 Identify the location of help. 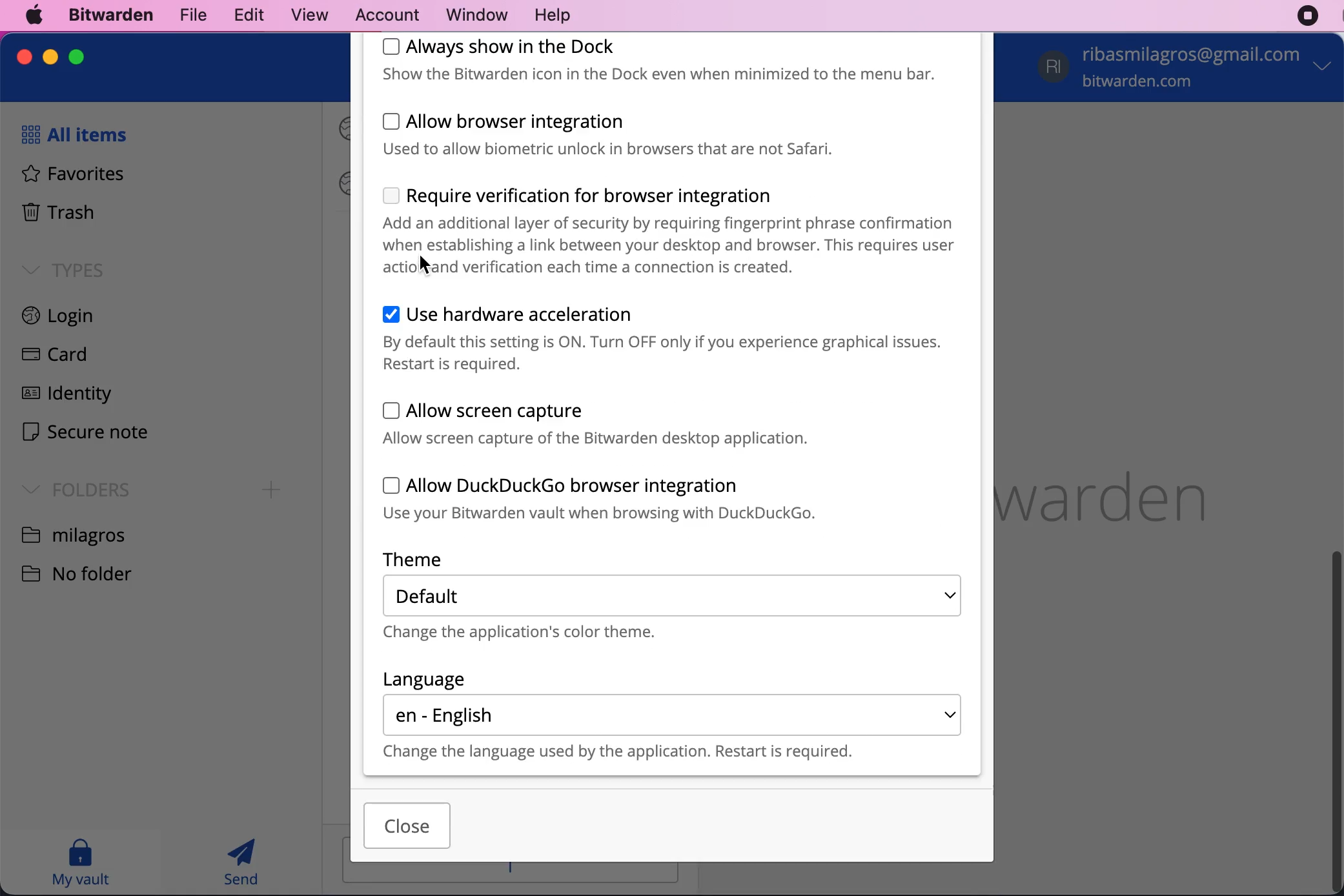
(552, 16).